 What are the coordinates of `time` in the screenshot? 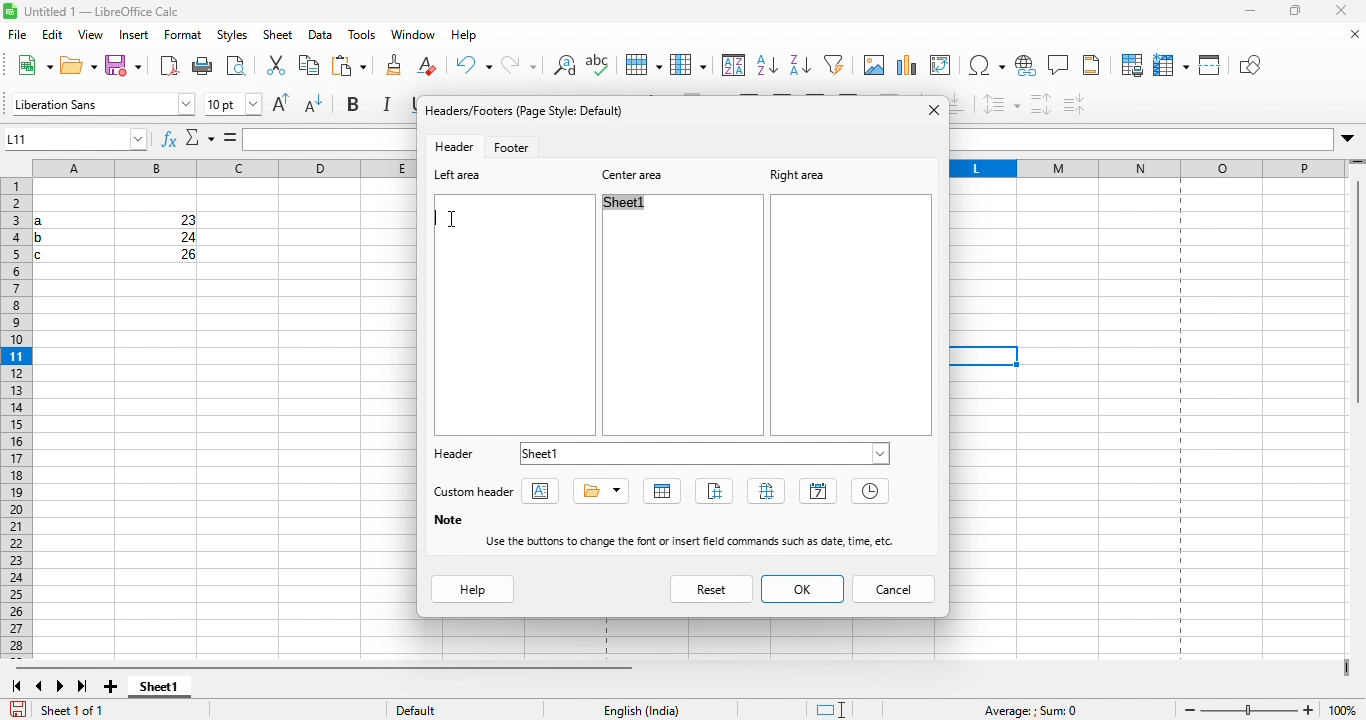 It's located at (870, 491).